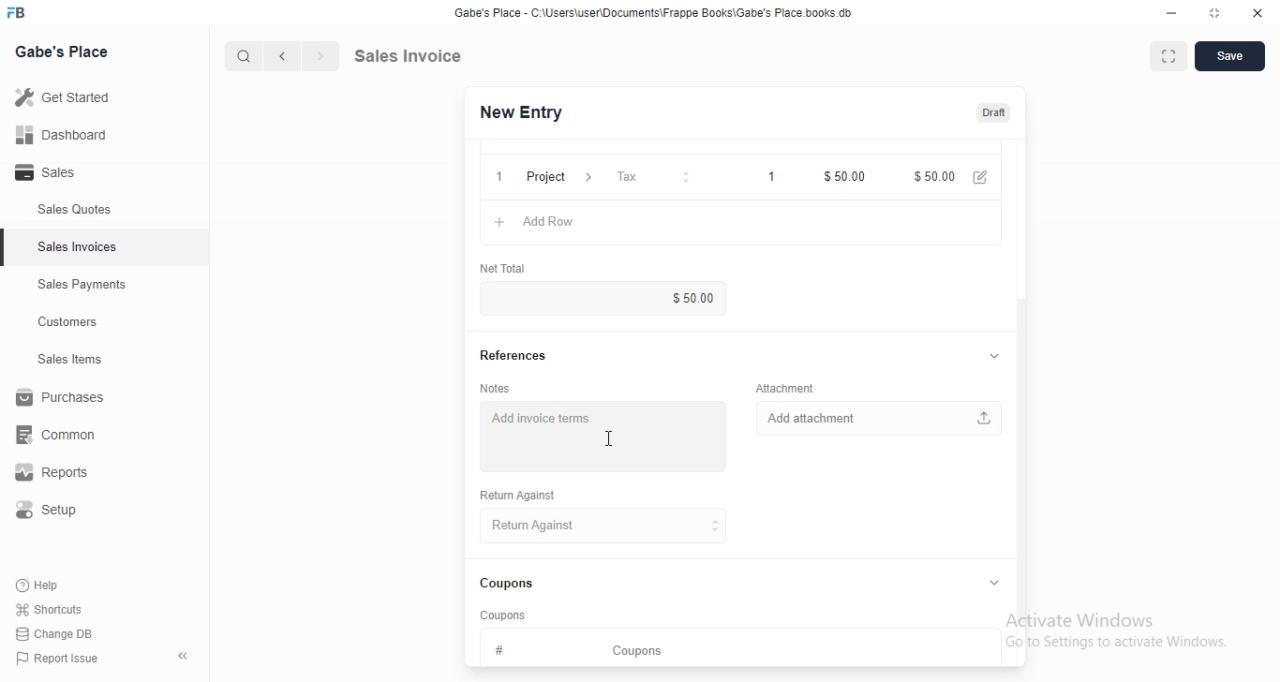  What do you see at coordinates (505, 614) in the screenshot?
I see `‘Coupons` at bounding box center [505, 614].